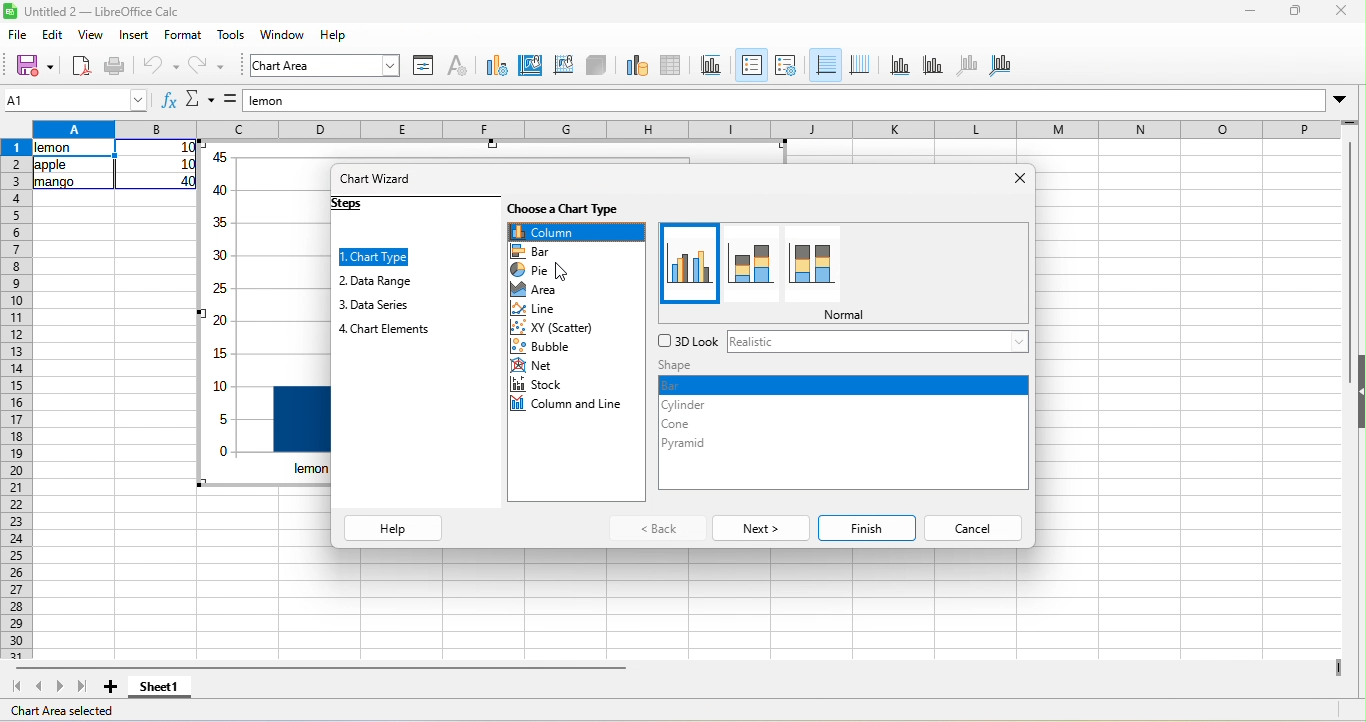 Image resolution: width=1366 pixels, height=722 pixels. Describe the element at coordinates (566, 328) in the screenshot. I see `xy (scatter)` at that location.